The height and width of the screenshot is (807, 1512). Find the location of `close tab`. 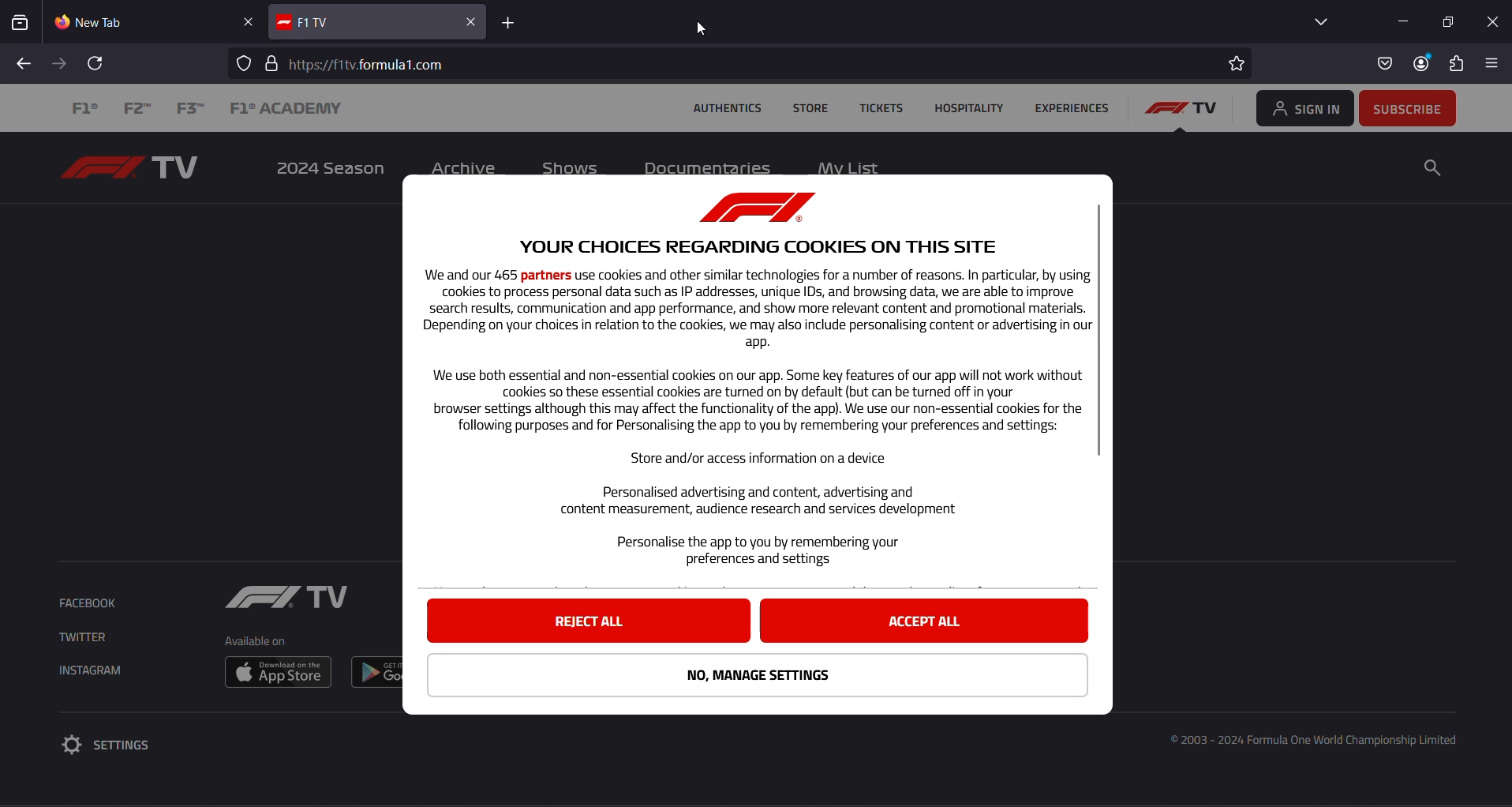

close tab is located at coordinates (473, 21).